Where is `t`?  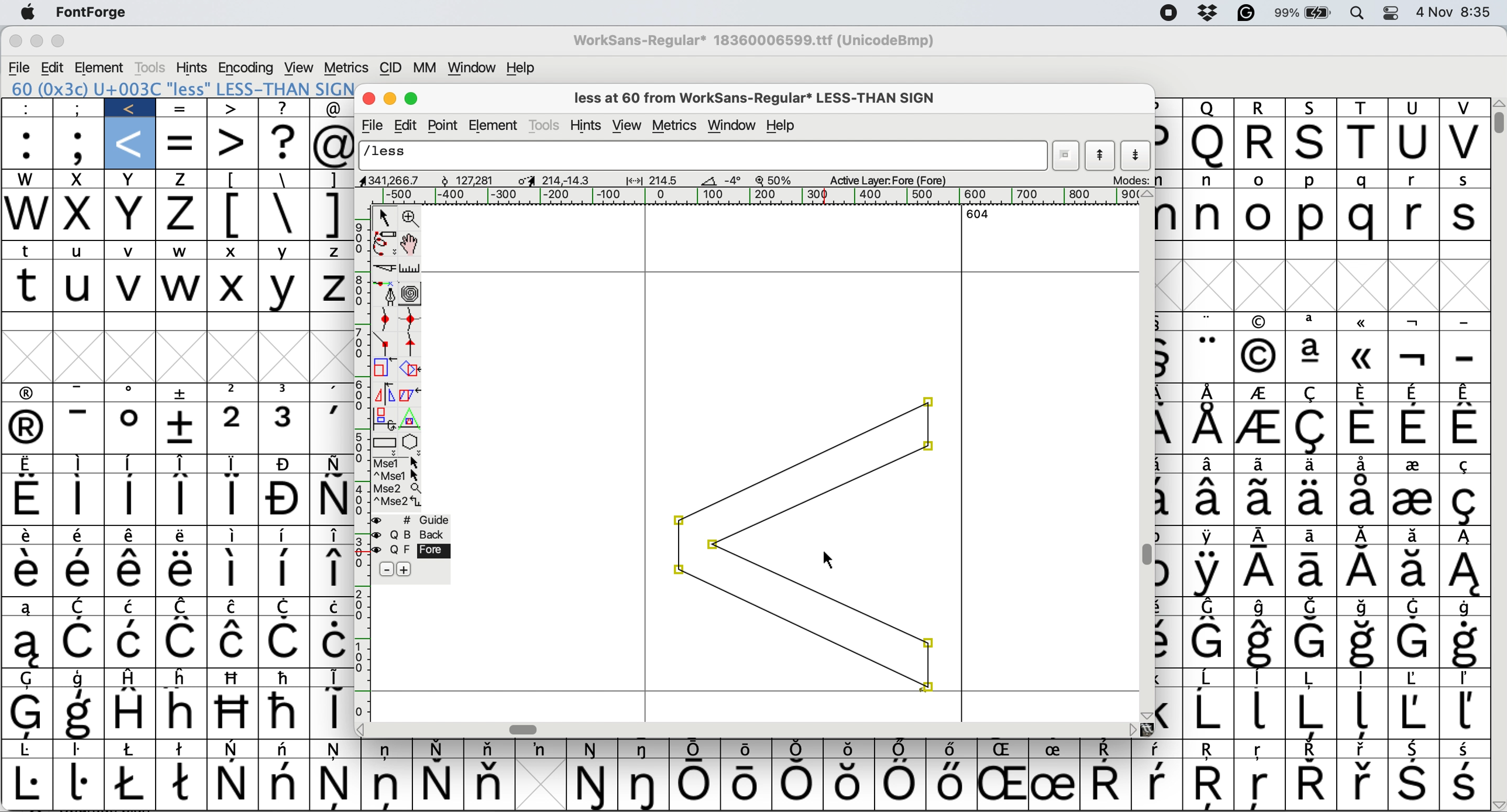 t is located at coordinates (29, 285).